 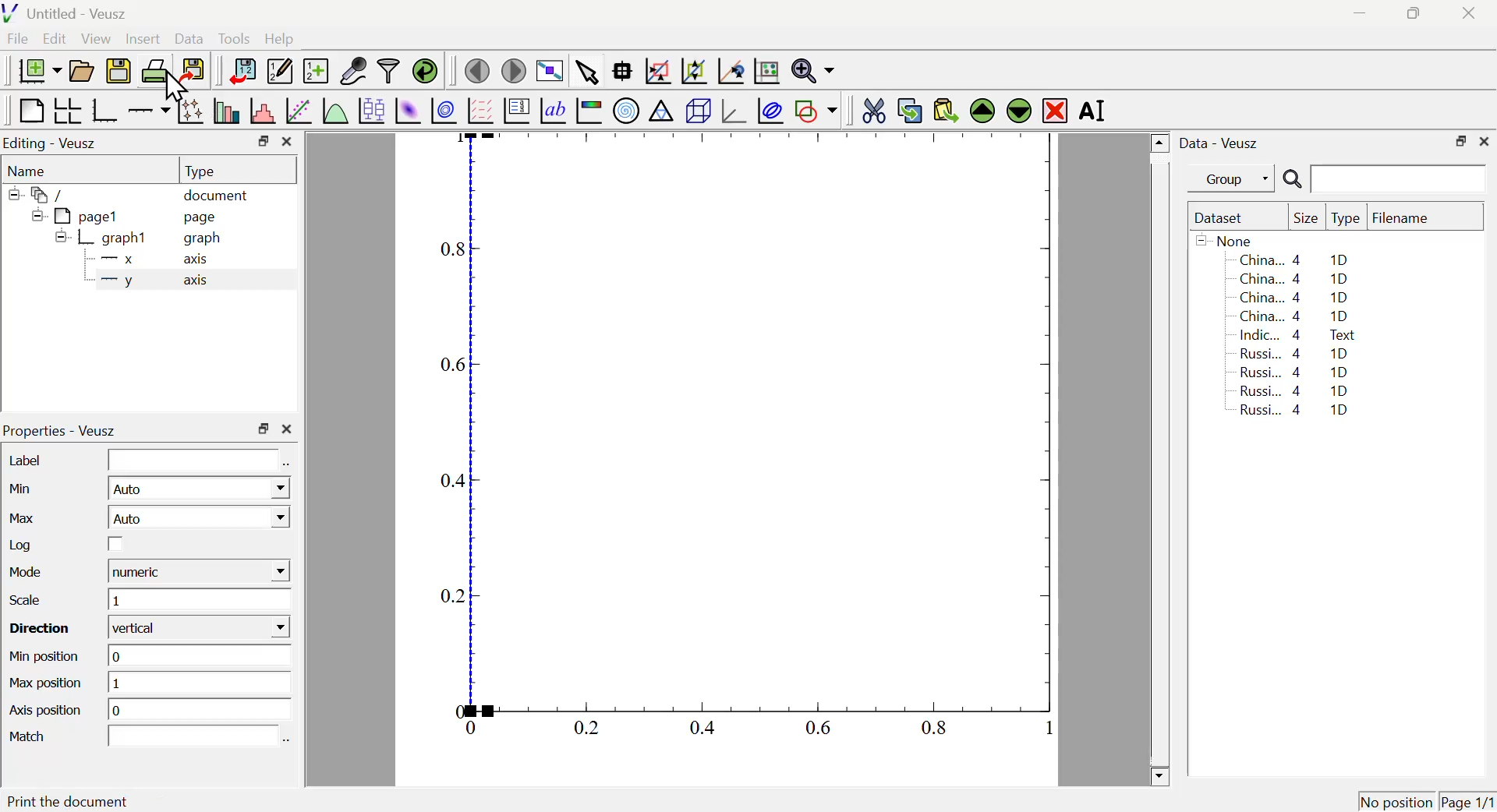 I want to click on Plot 2D set as contours, so click(x=444, y=111).